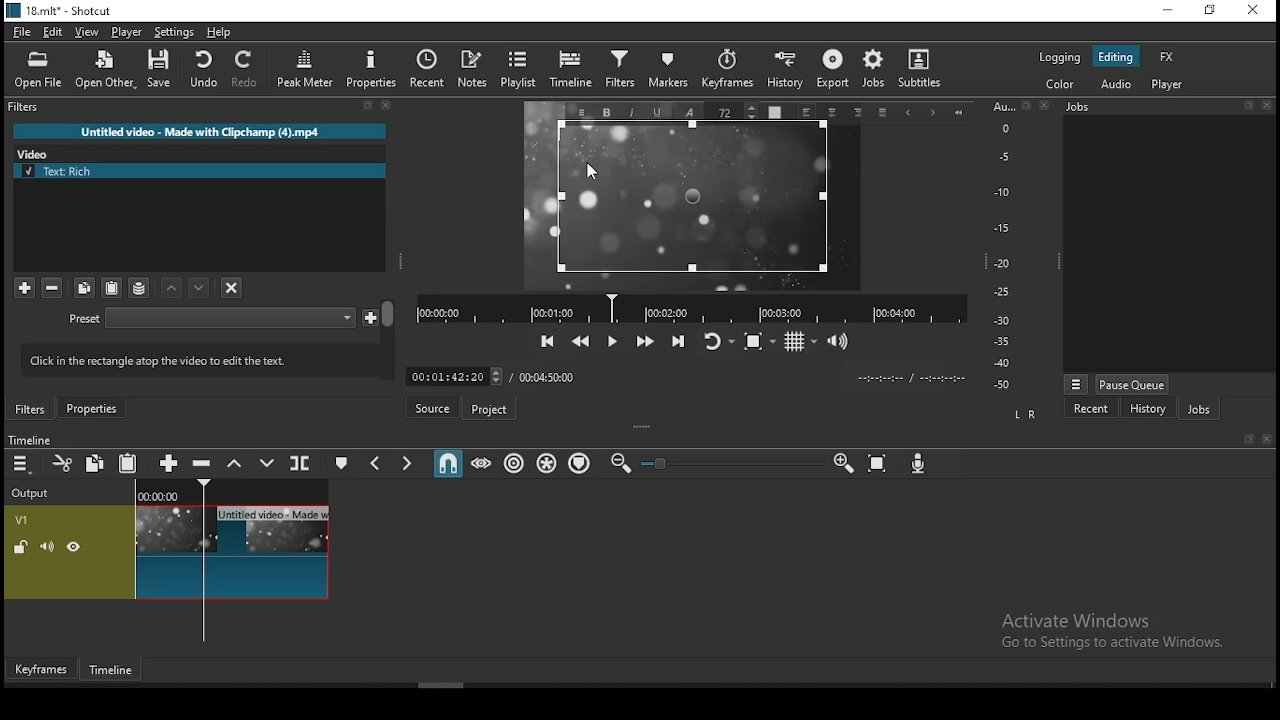 This screenshot has width=1280, height=720. Describe the element at coordinates (774, 111) in the screenshot. I see `Text Color` at that location.